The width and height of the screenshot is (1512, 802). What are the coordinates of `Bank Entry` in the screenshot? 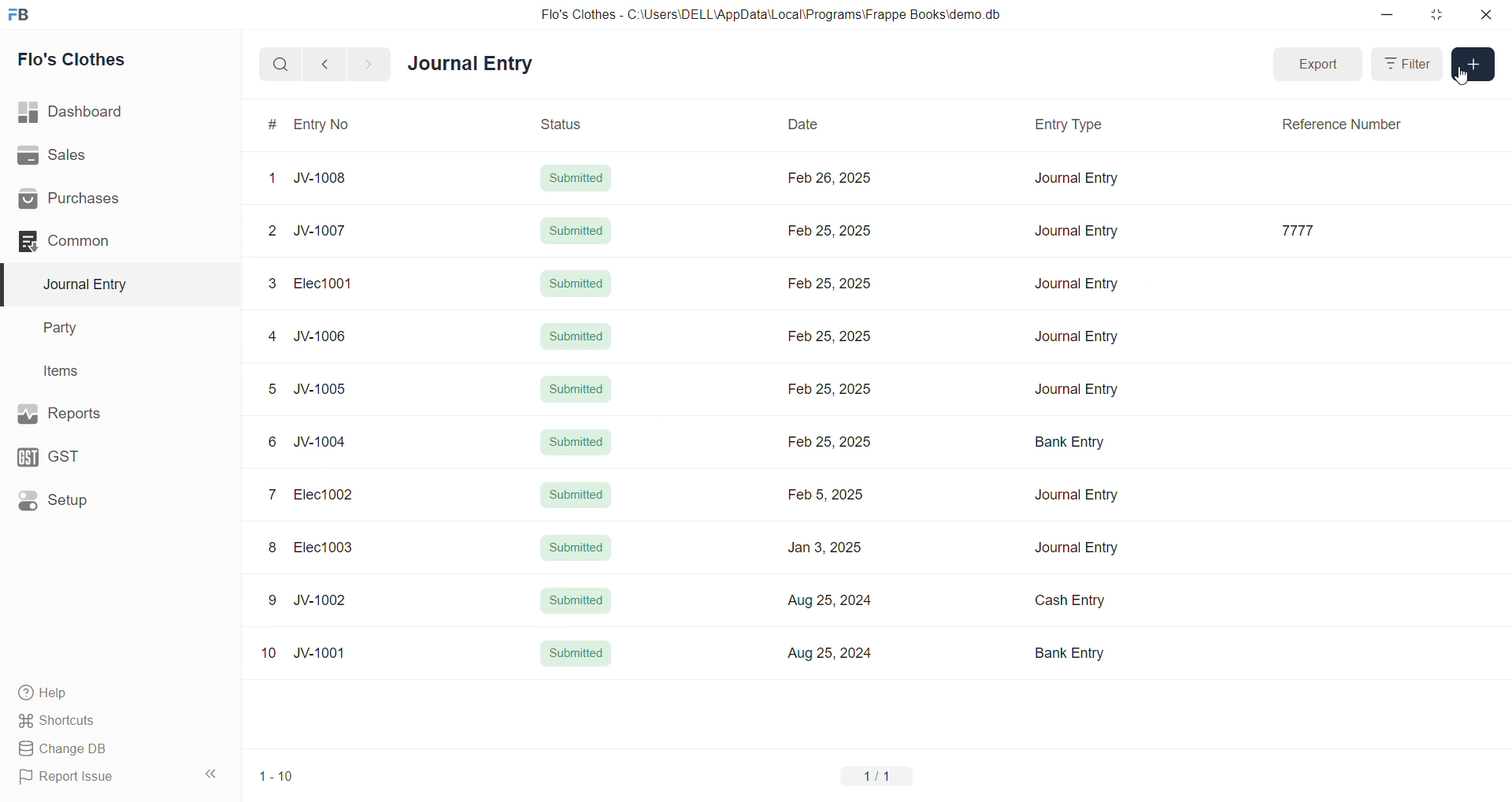 It's located at (1063, 446).